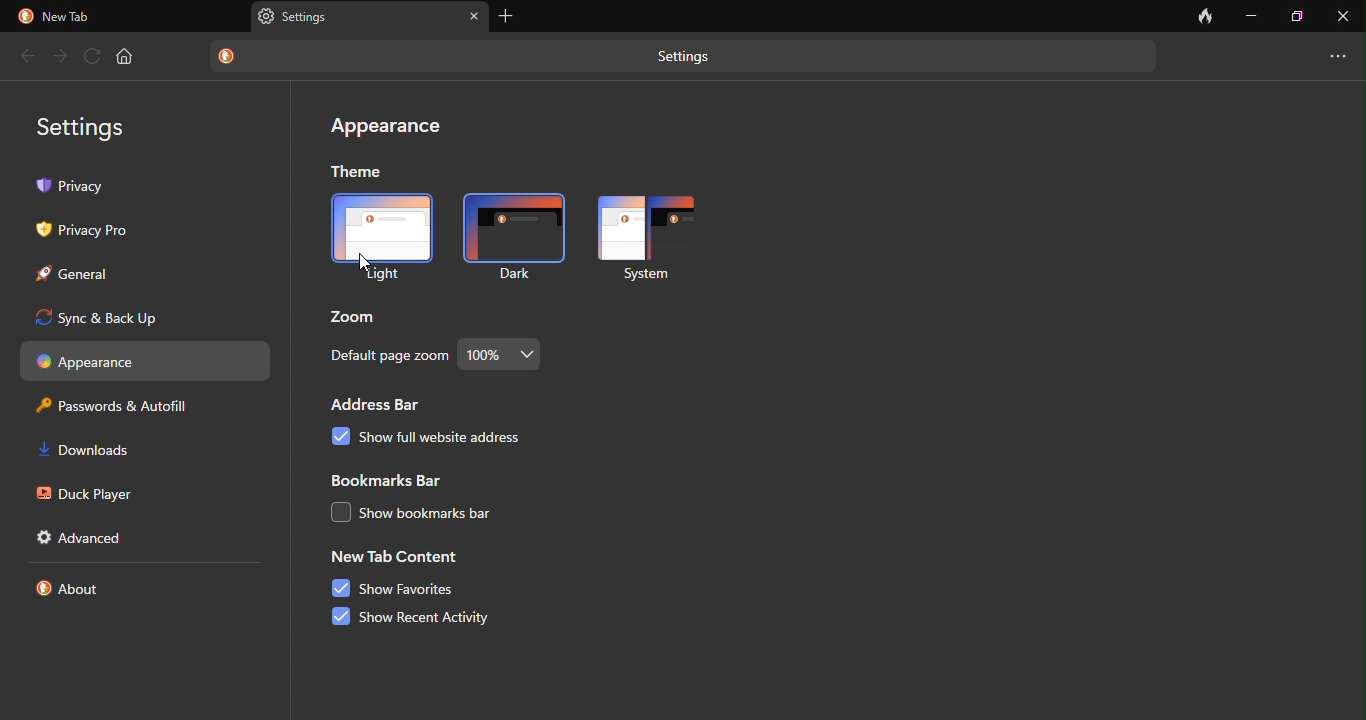 The width and height of the screenshot is (1366, 720). What do you see at coordinates (357, 315) in the screenshot?
I see `zoom` at bounding box center [357, 315].